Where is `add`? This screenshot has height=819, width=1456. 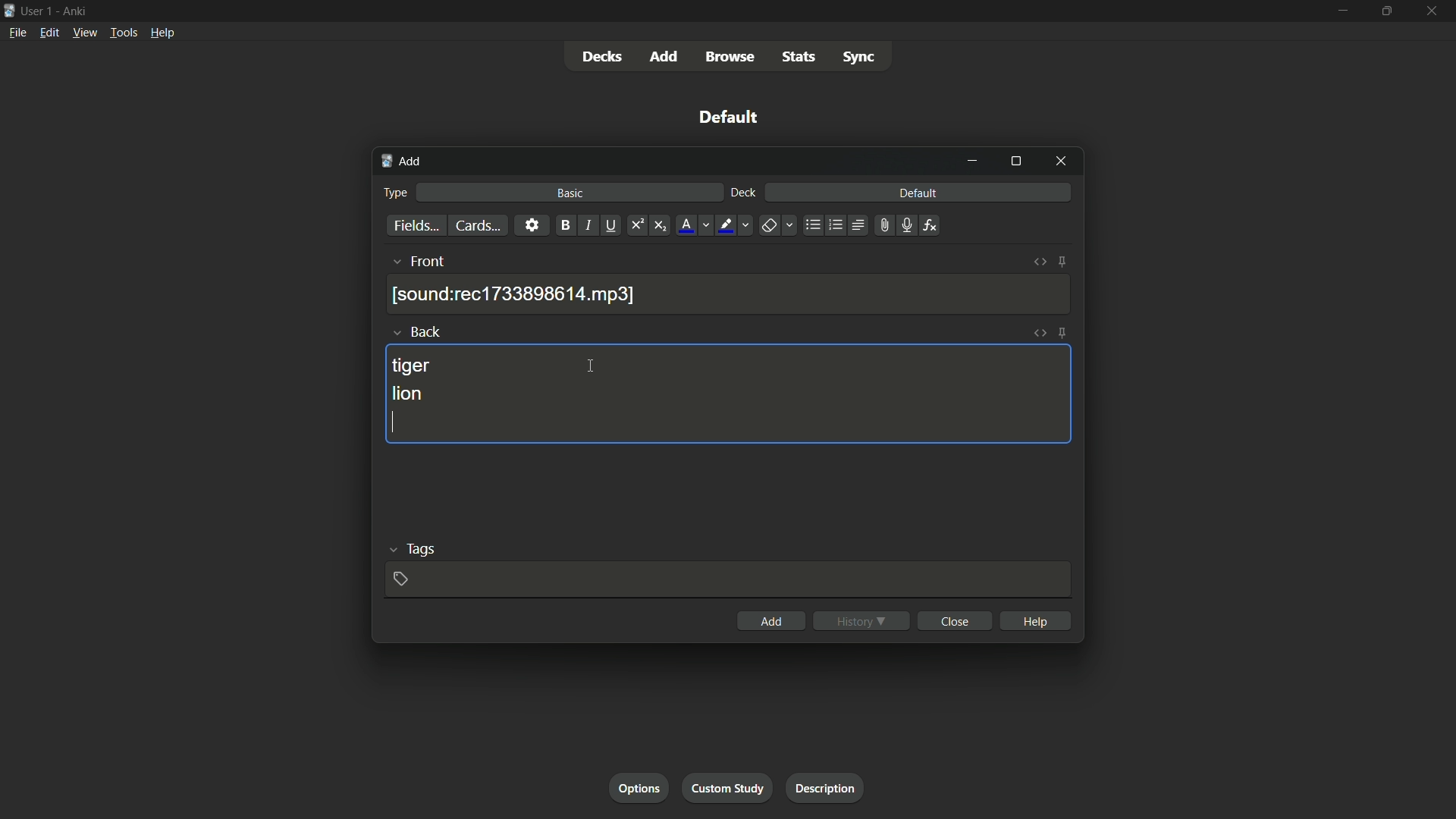
add is located at coordinates (401, 162).